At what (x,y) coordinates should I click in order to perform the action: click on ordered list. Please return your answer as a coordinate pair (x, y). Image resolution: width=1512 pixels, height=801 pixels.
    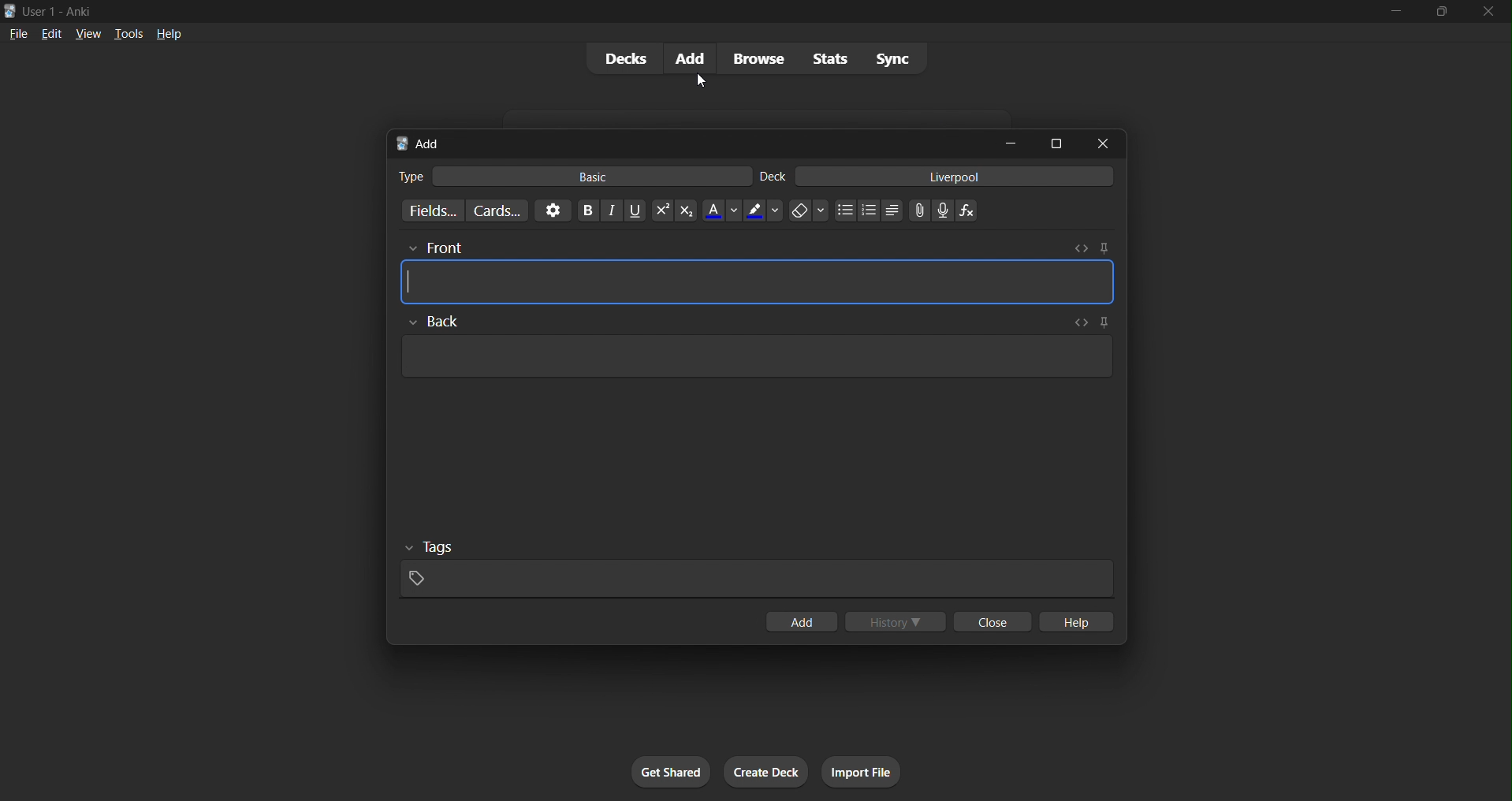
    Looking at the image, I should click on (872, 210).